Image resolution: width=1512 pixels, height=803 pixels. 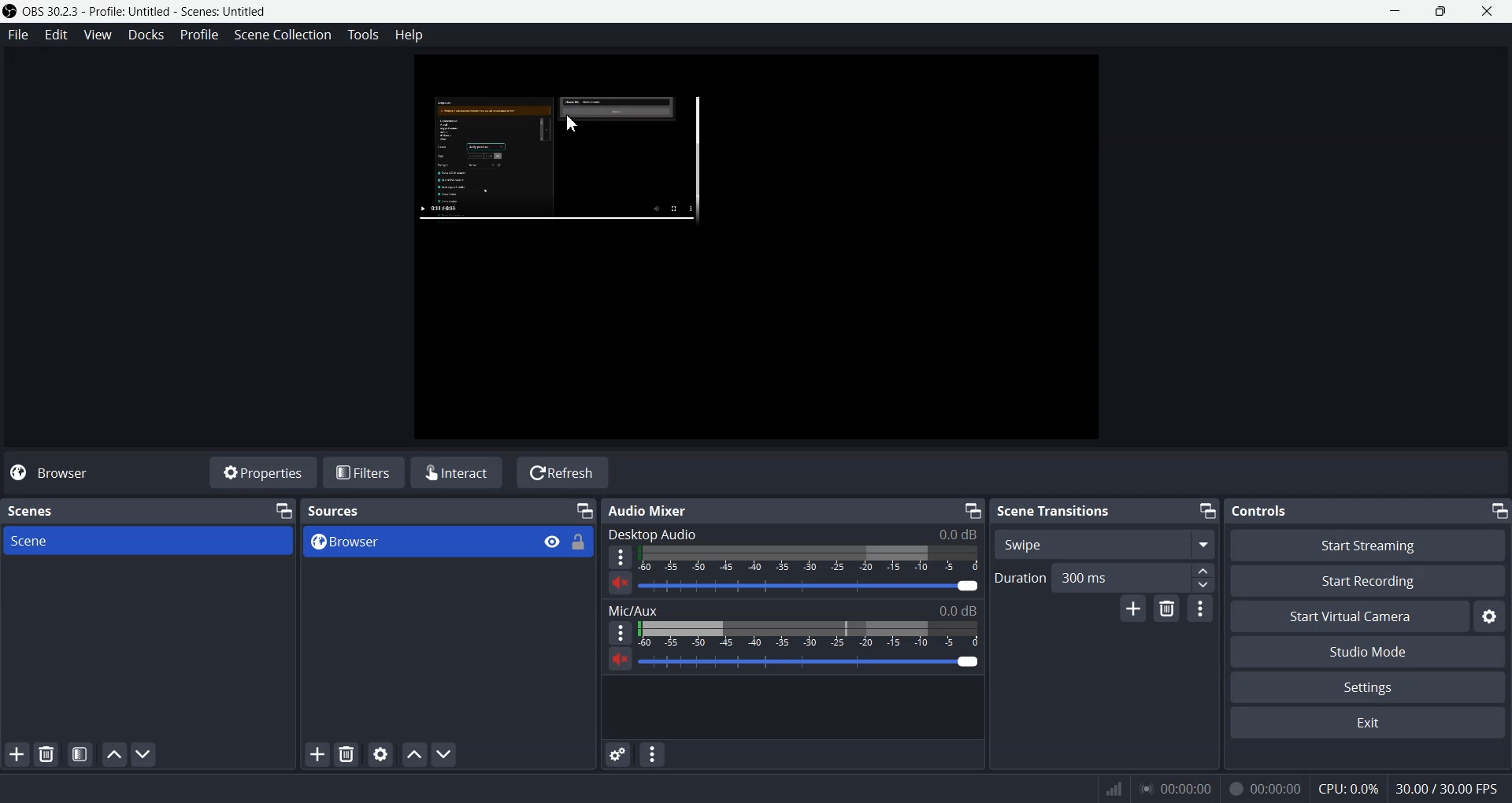 I want to click on More, so click(x=620, y=633).